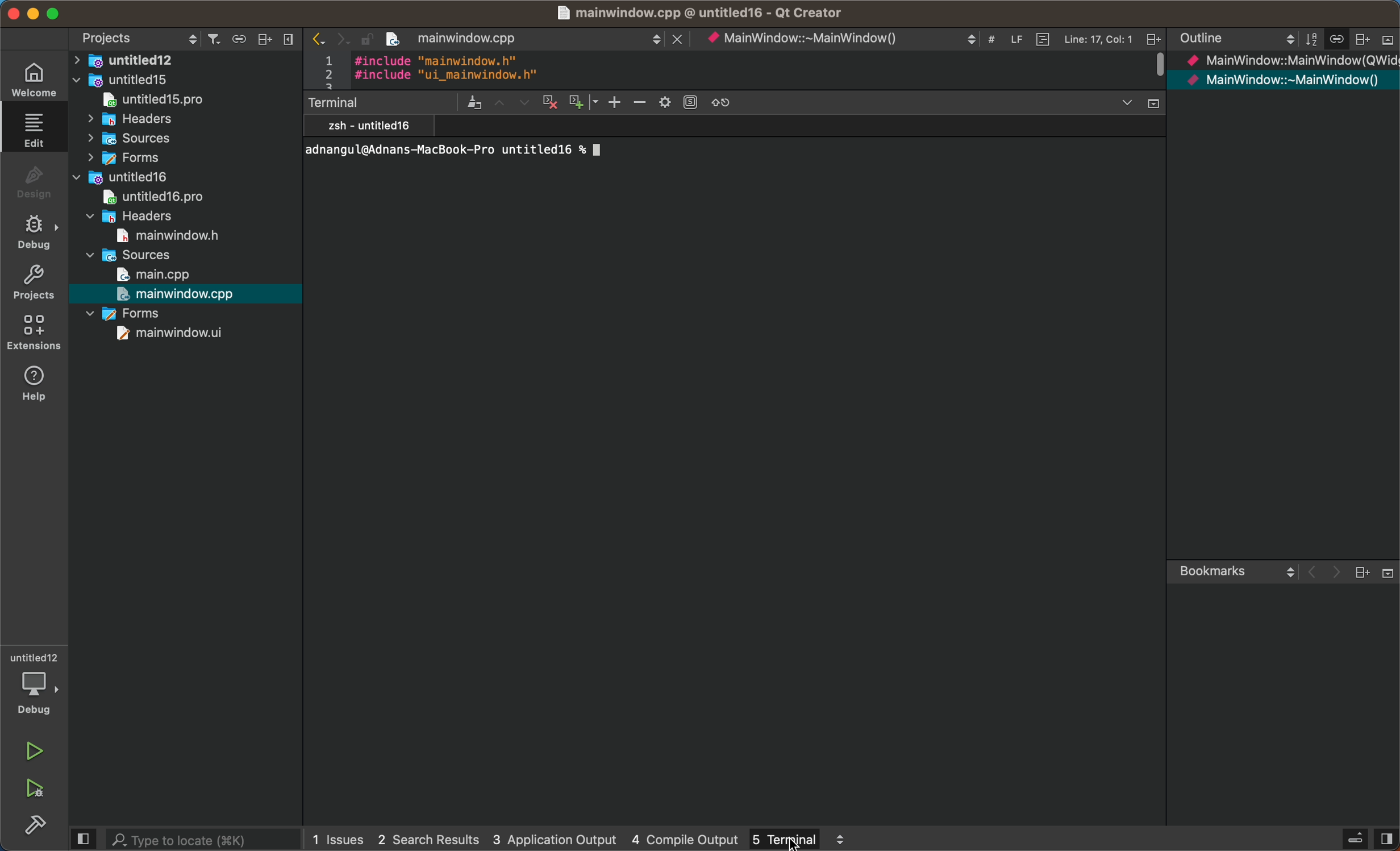 Image resolution: width=1400 pixels, height=851 pixels. What do you see at coordinates (157, 275) in the screenshot?
I see `file` at bounding box center [157, 275].